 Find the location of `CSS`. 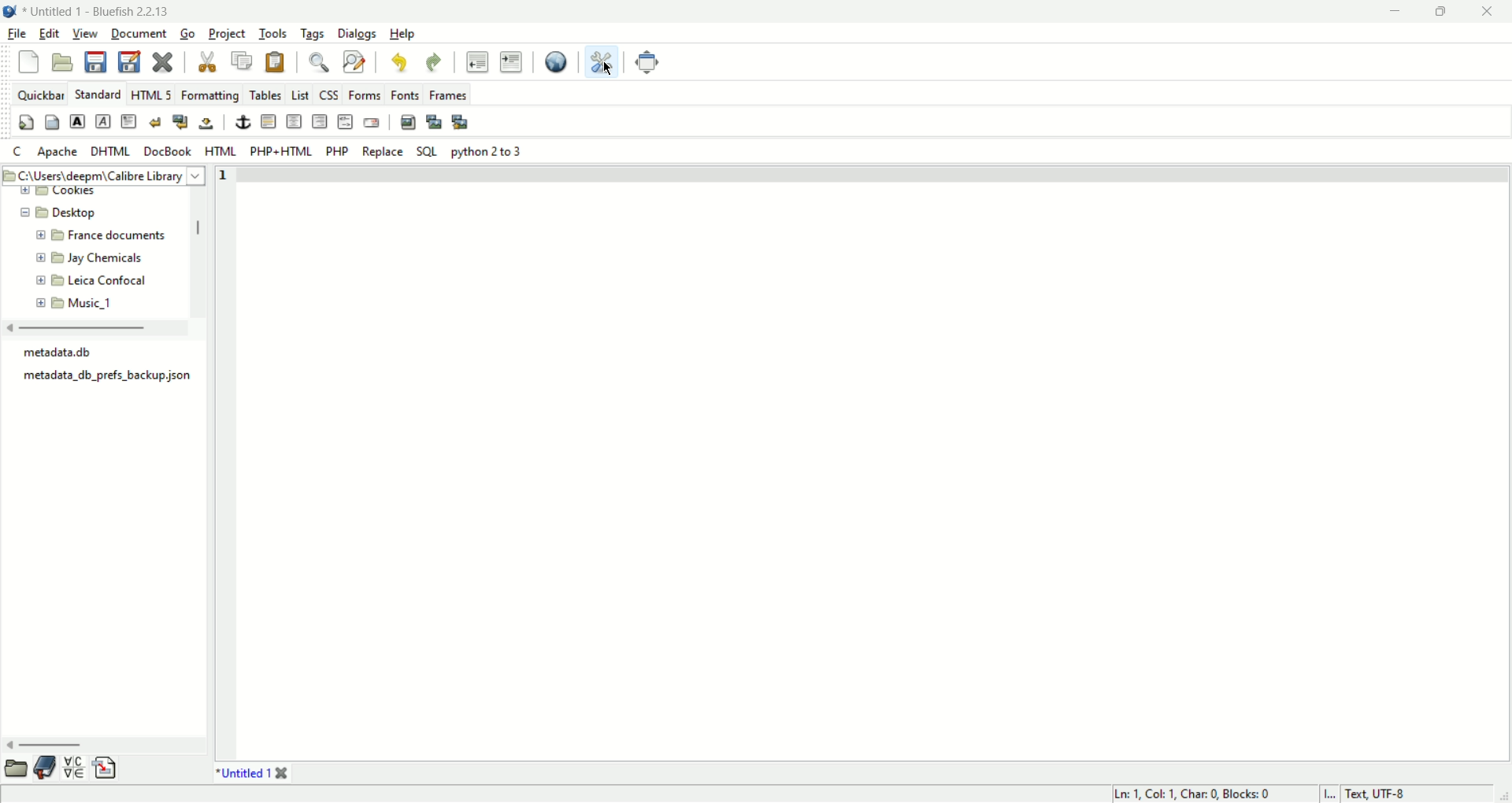

CSS is located at coordinates (329, 95).